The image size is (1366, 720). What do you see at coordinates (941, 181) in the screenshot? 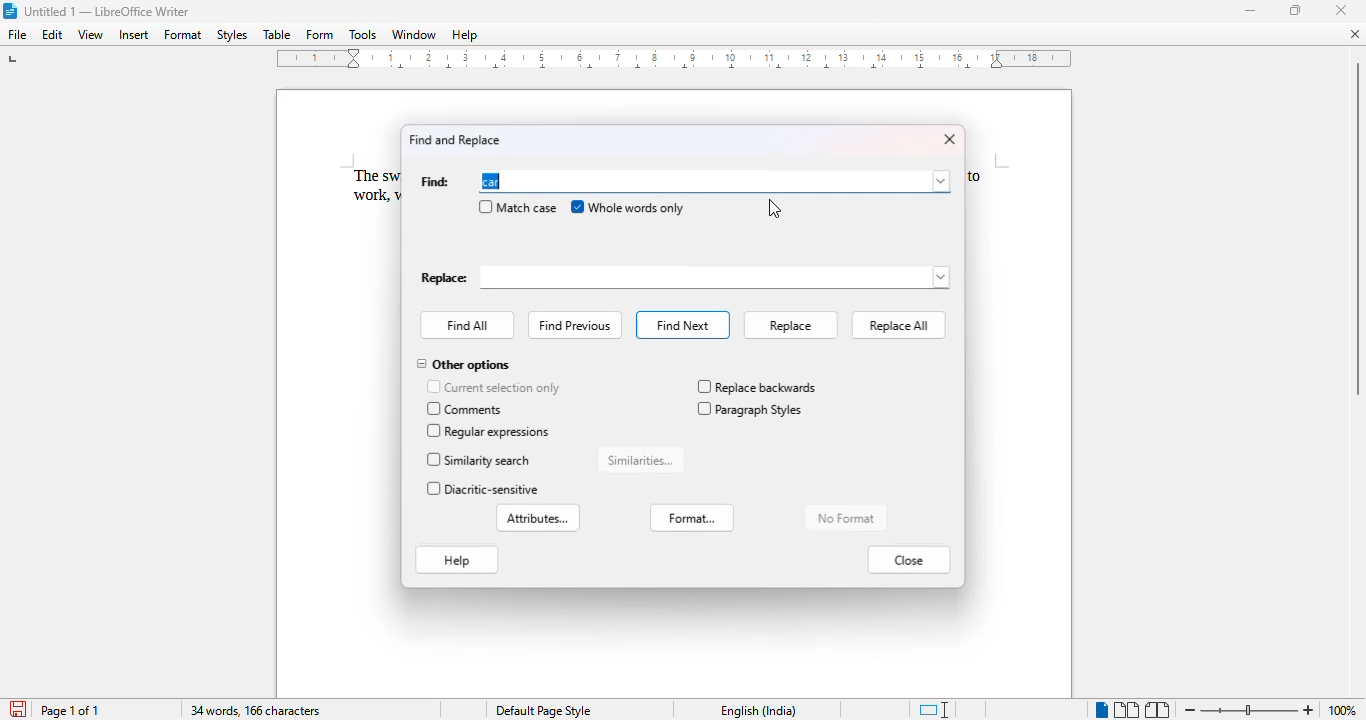
I see `browse` at bounding box center [941, 181].